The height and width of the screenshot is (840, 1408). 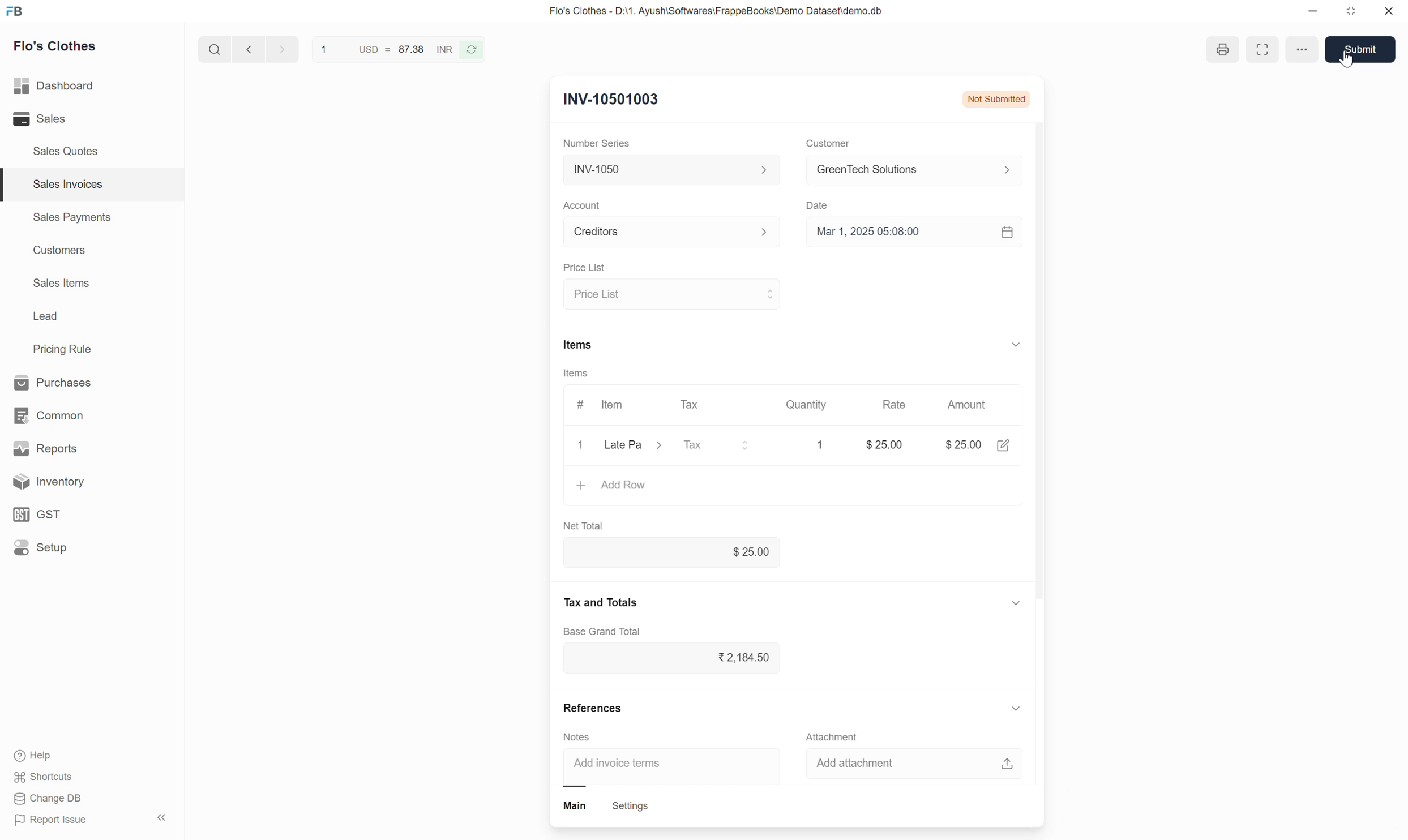 What do you see at coordinates (669, 663) in the screenshot?
I see `tax input box` at bounding box center [669, 663].